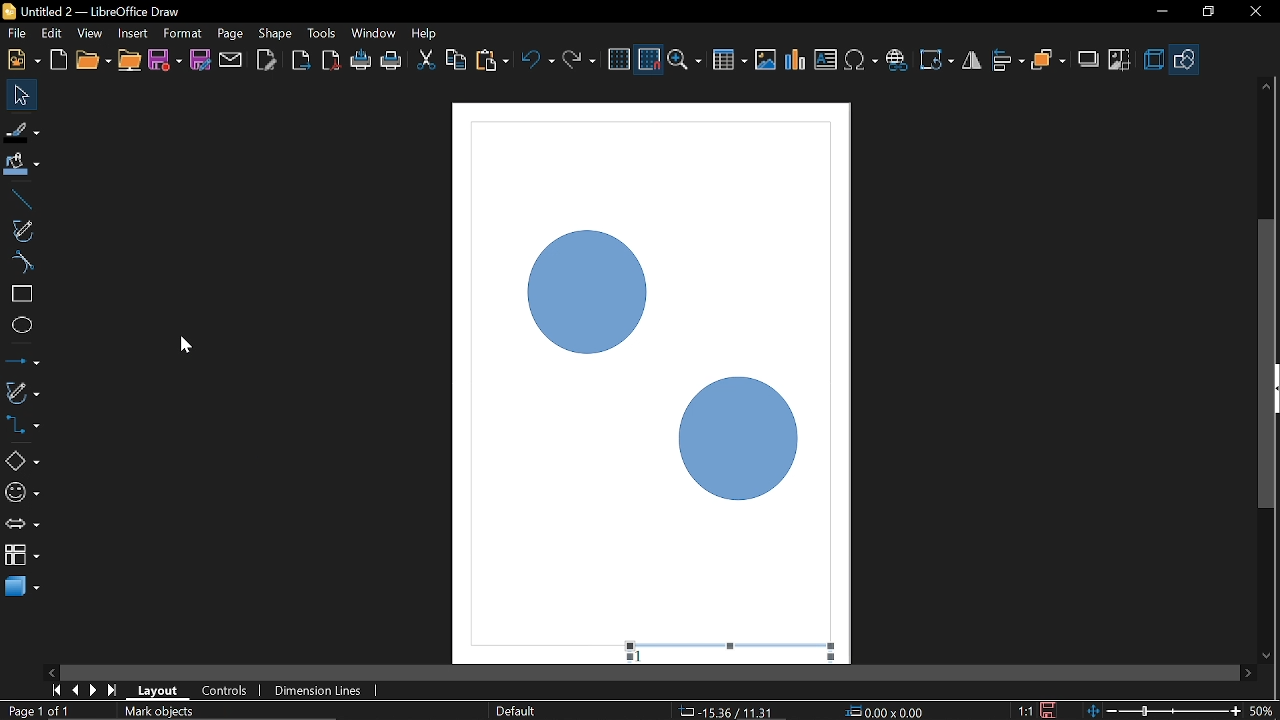 Image resolution: width=1280 pixels, height=720 pixels. Describe the element at coordinates (650, 673) in the screenshot. I see `Horizontal scrollbar` at that location.